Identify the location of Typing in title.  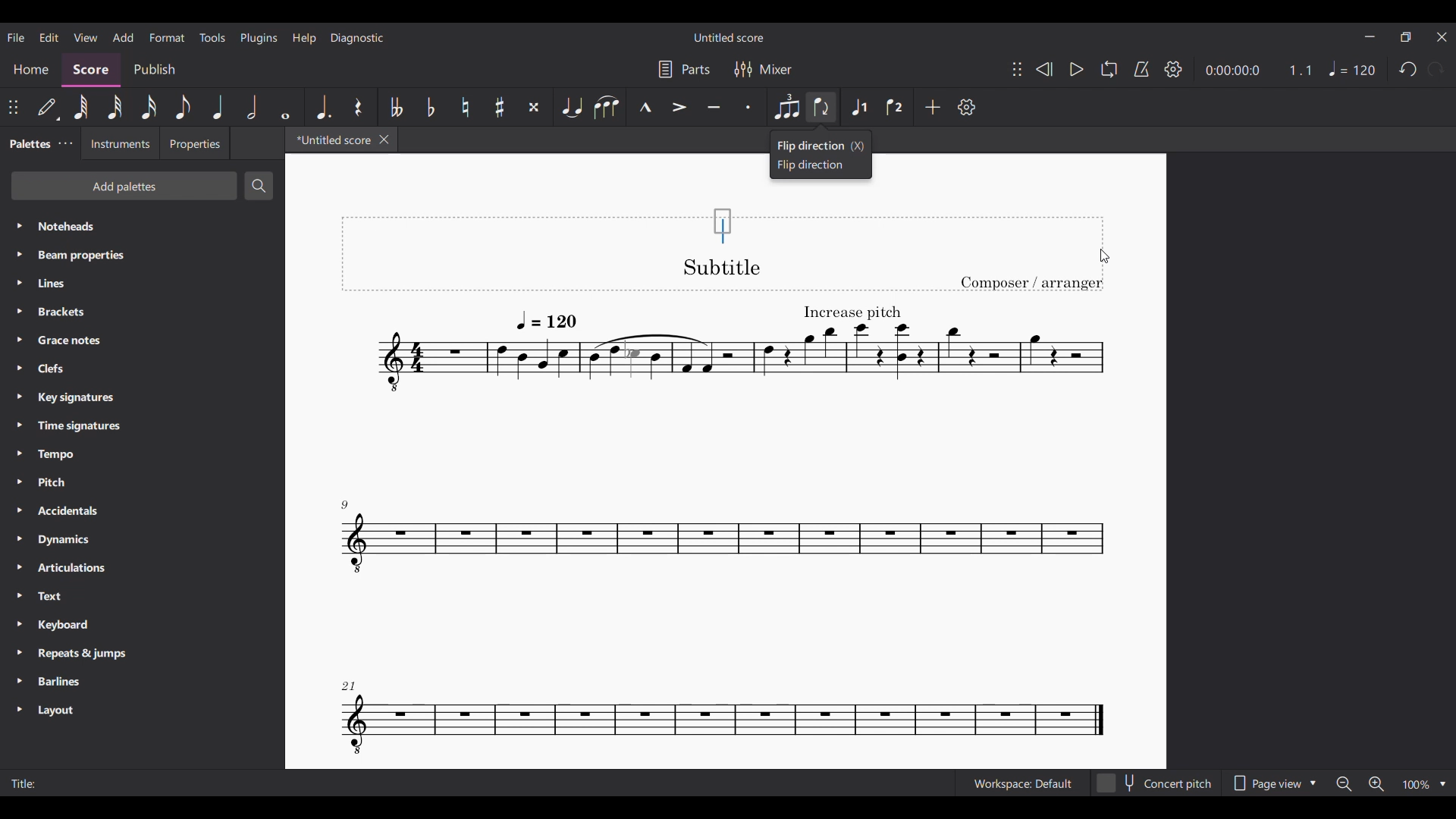
(723, 227).